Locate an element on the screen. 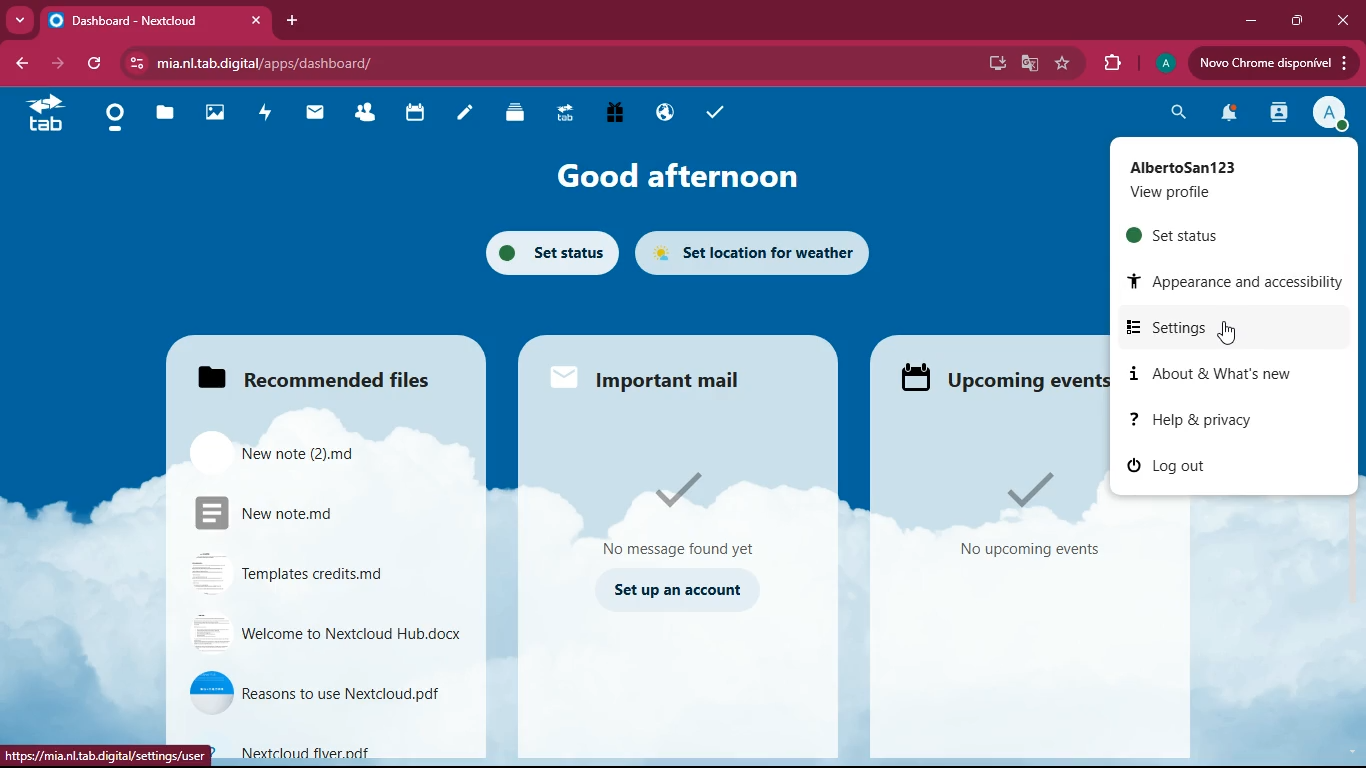  back is located at coordinates (23, 66).